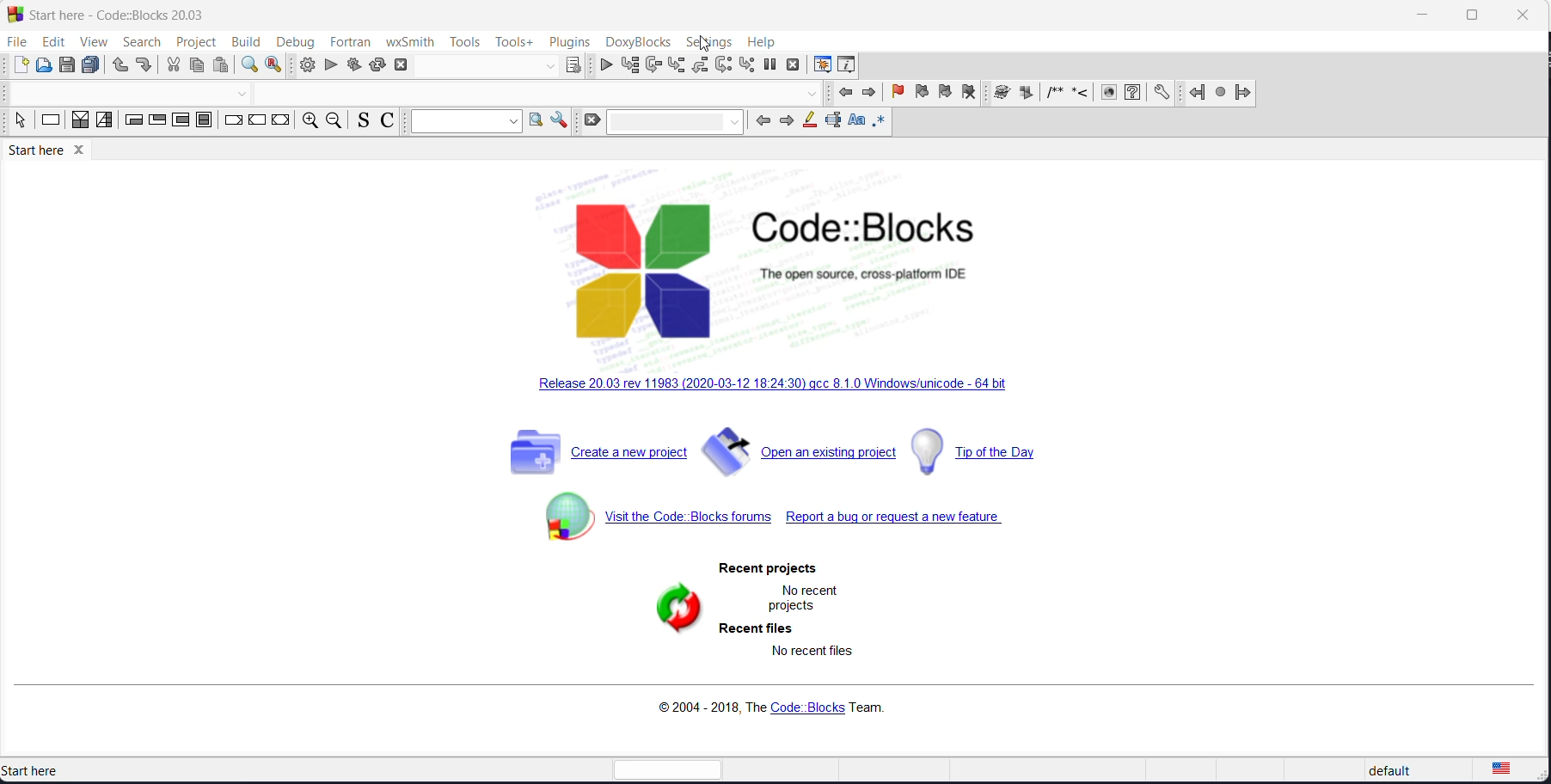 Image resolution: width=1551 pixels, height=784 pixels. Describe the element at coordinates (15, 42) in the screenshot. I see `file` at that location.